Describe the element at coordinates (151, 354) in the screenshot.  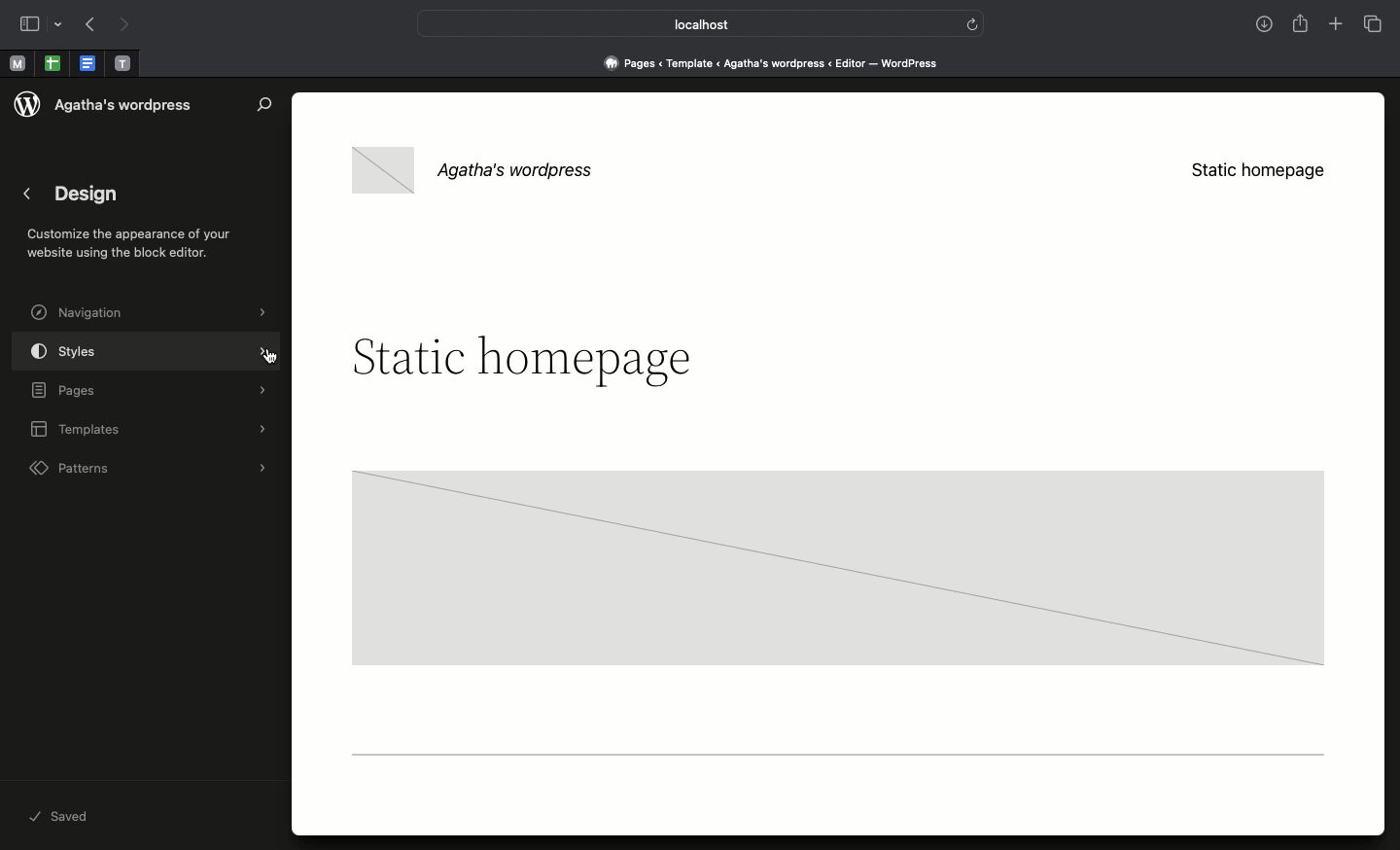
I see `Styles` at that location.